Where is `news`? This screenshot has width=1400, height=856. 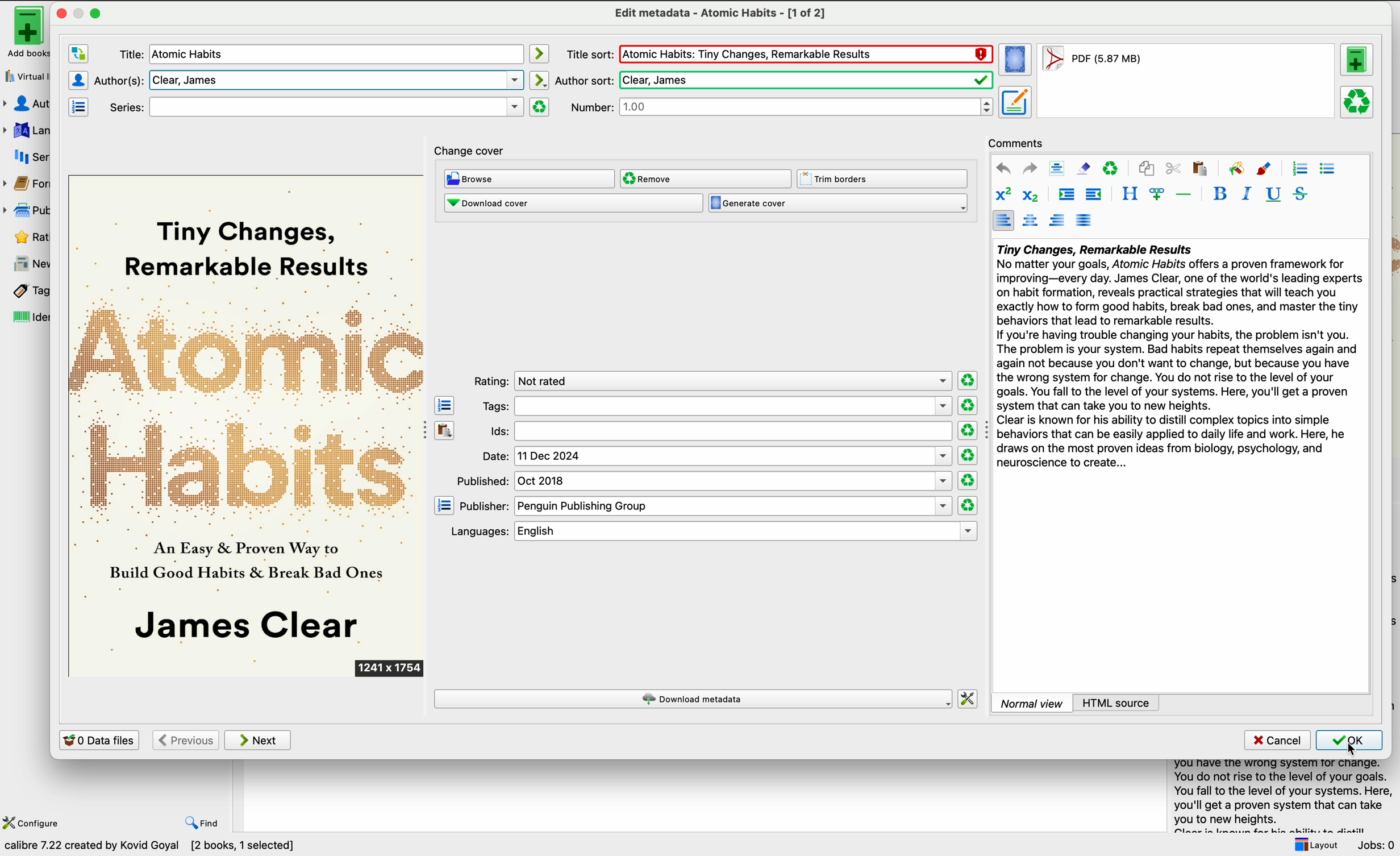
news is located at coordinates (26, 264).